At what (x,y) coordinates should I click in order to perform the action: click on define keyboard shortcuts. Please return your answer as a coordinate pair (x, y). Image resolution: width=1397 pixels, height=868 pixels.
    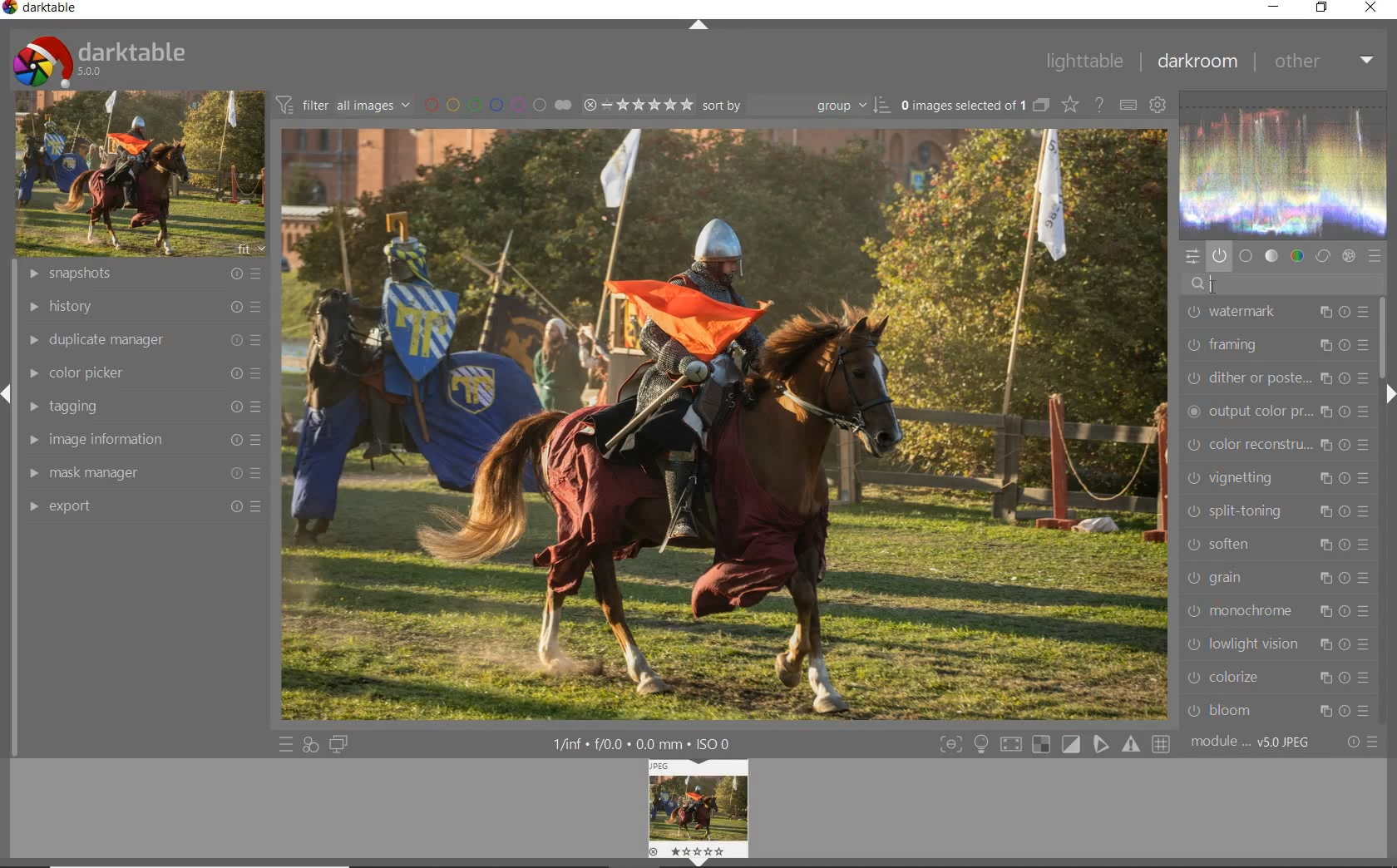
    Looking at the image, I should click on (1127, 105).